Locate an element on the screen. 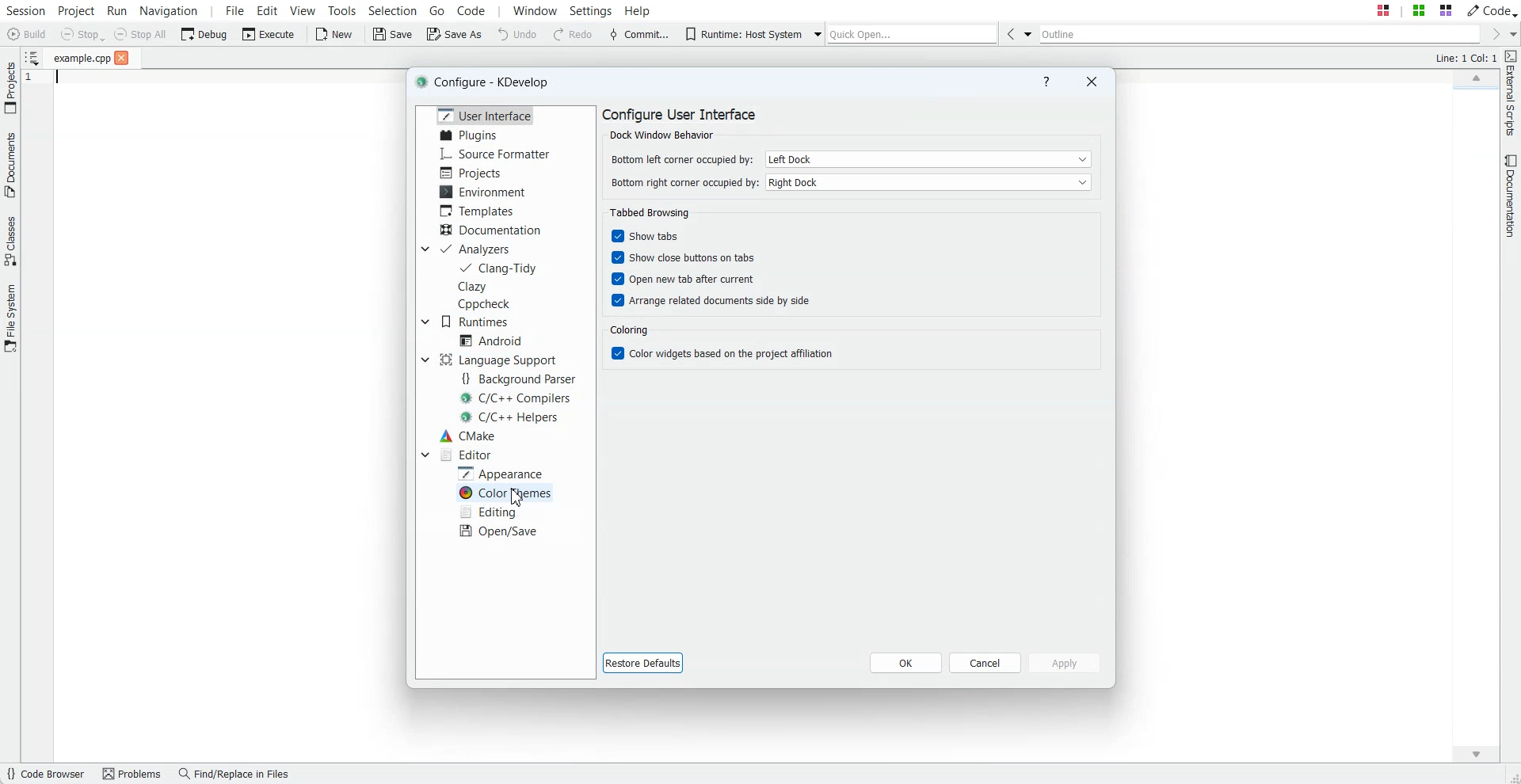  Enable Arrange related documents side by side is located at coordinates (707, 301).